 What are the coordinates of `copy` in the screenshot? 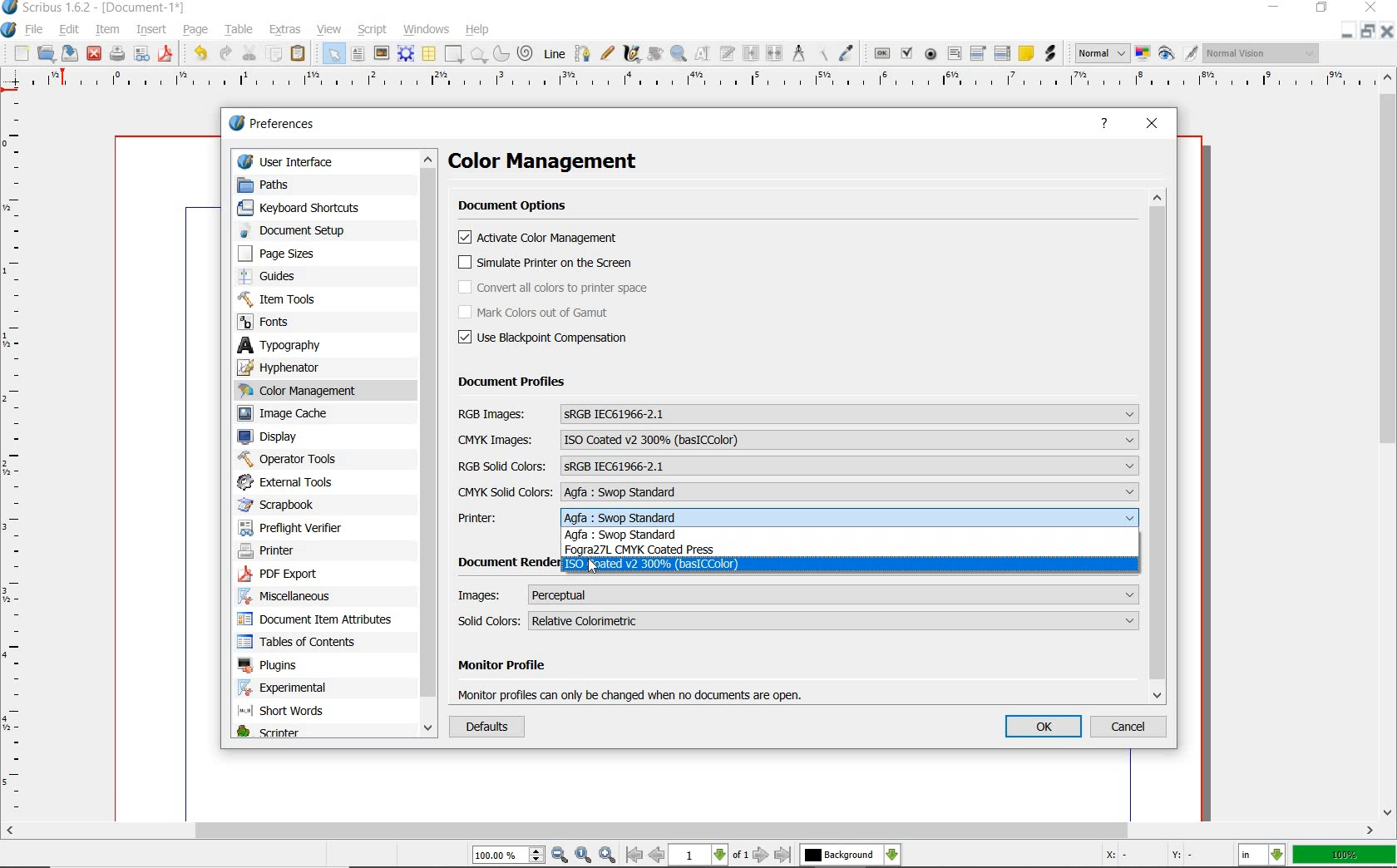 It's located at (274, 55).